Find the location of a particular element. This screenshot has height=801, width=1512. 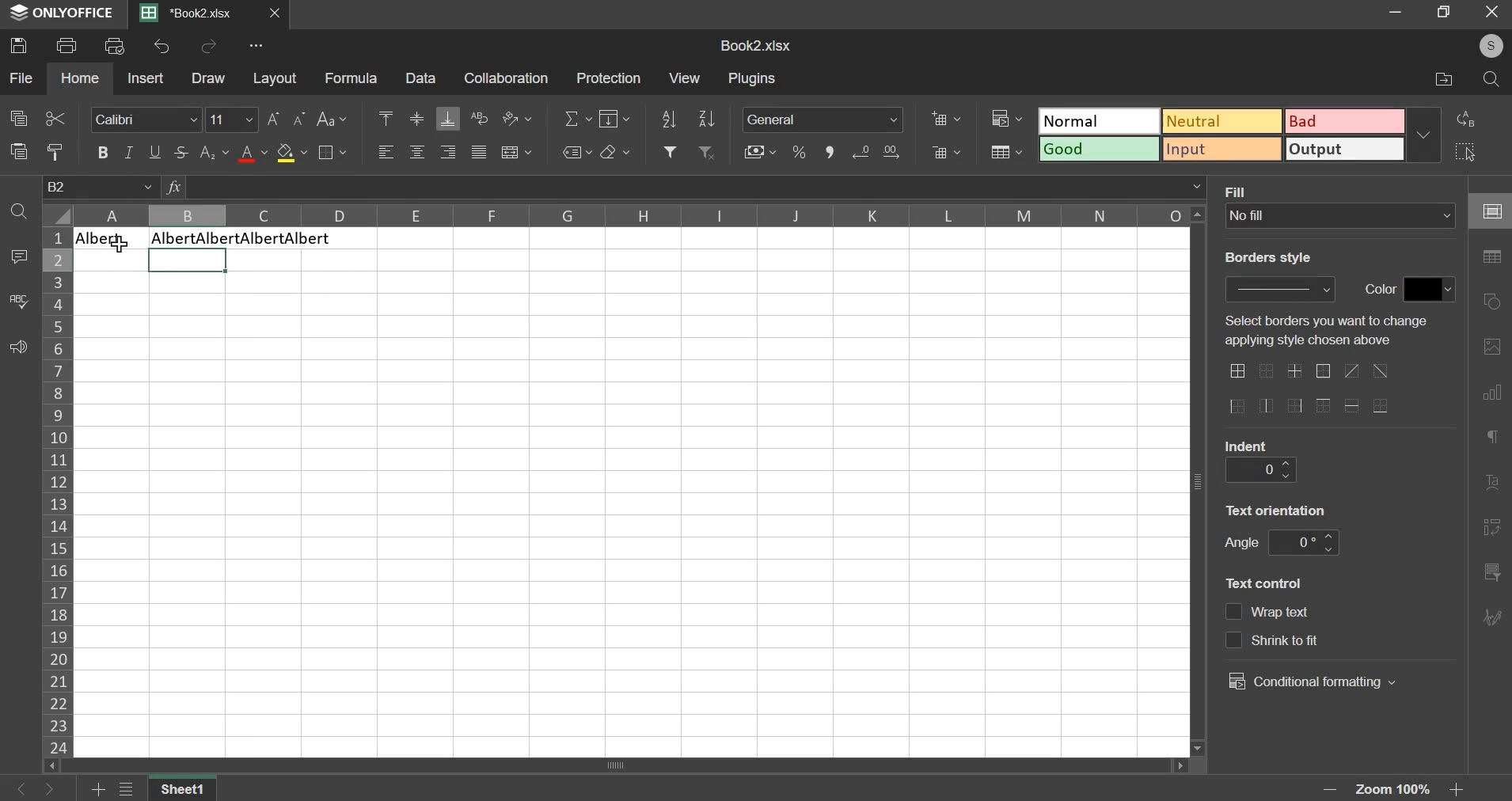

text art settings is located at coordinates (1495, 480).